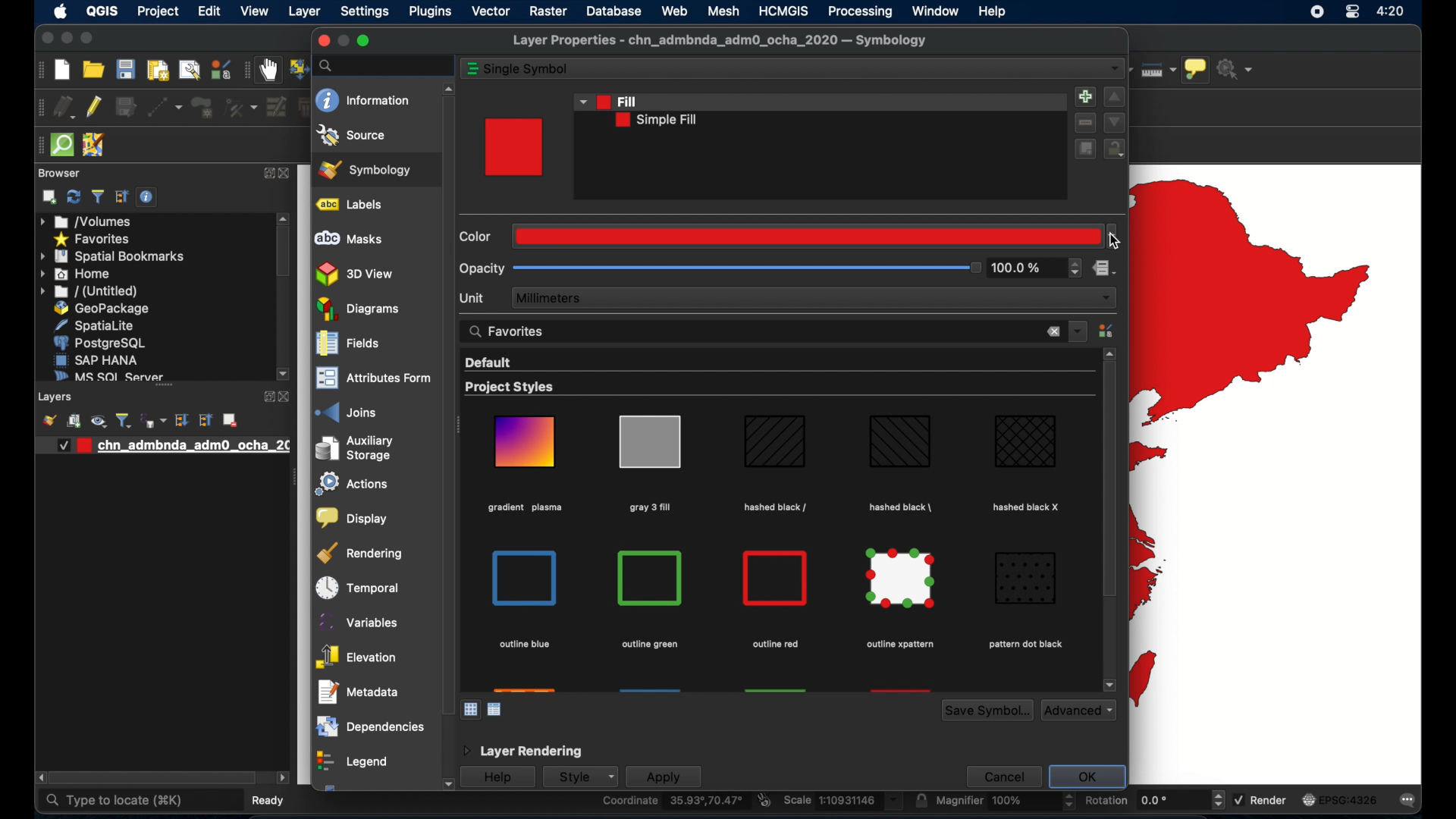 The image size is (1456, 819). I want to click on close, so click(321, 41).